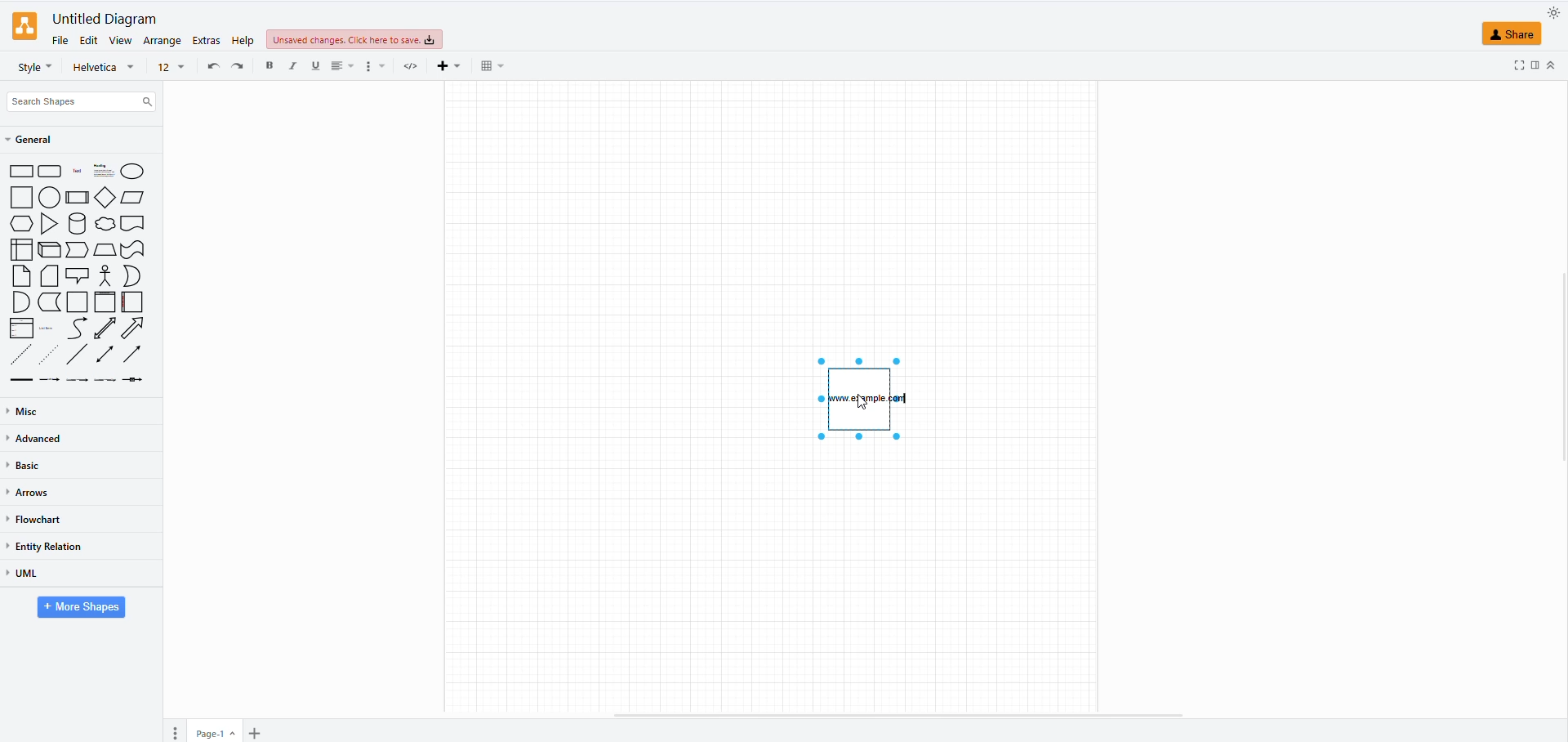 Image resolution: width=1568 pixels, height=742 pixels. I want to click on file, so click(60, 42).